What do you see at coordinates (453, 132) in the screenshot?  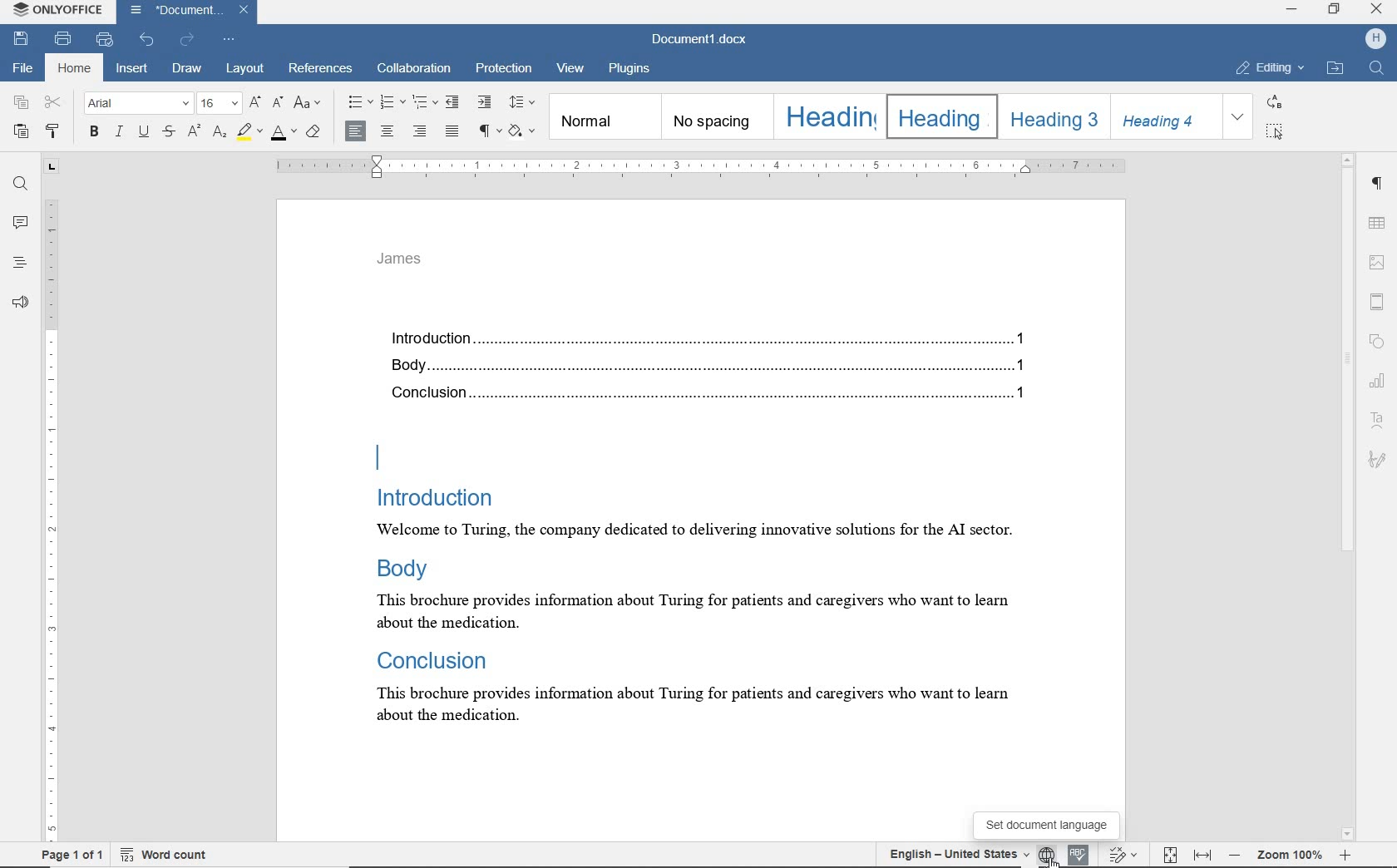 I see `justified` at bounding box center [453, 132].